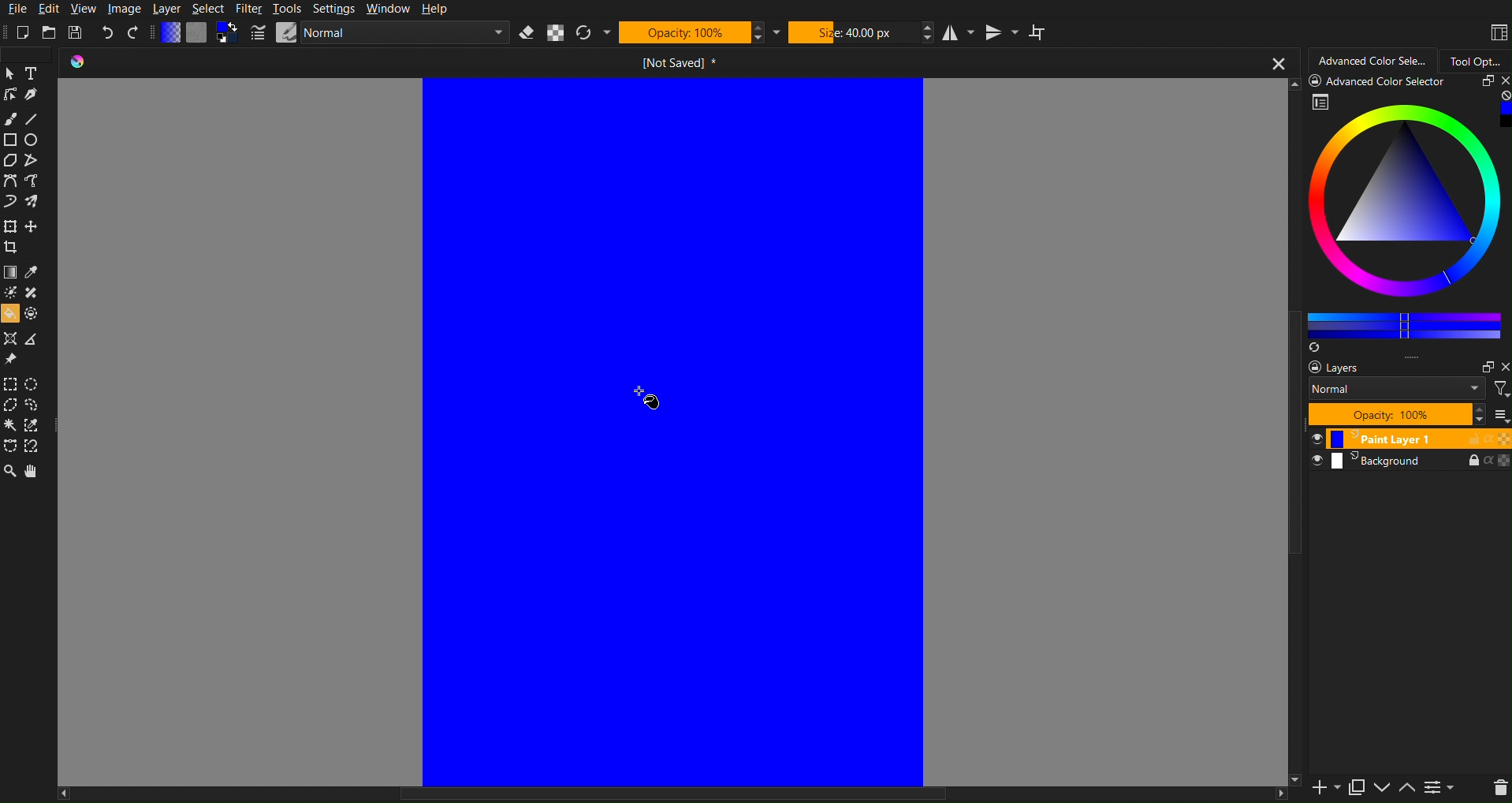  Describe the element at coordinates (286, 9) in the screenshot. I see `Tools` at that location.